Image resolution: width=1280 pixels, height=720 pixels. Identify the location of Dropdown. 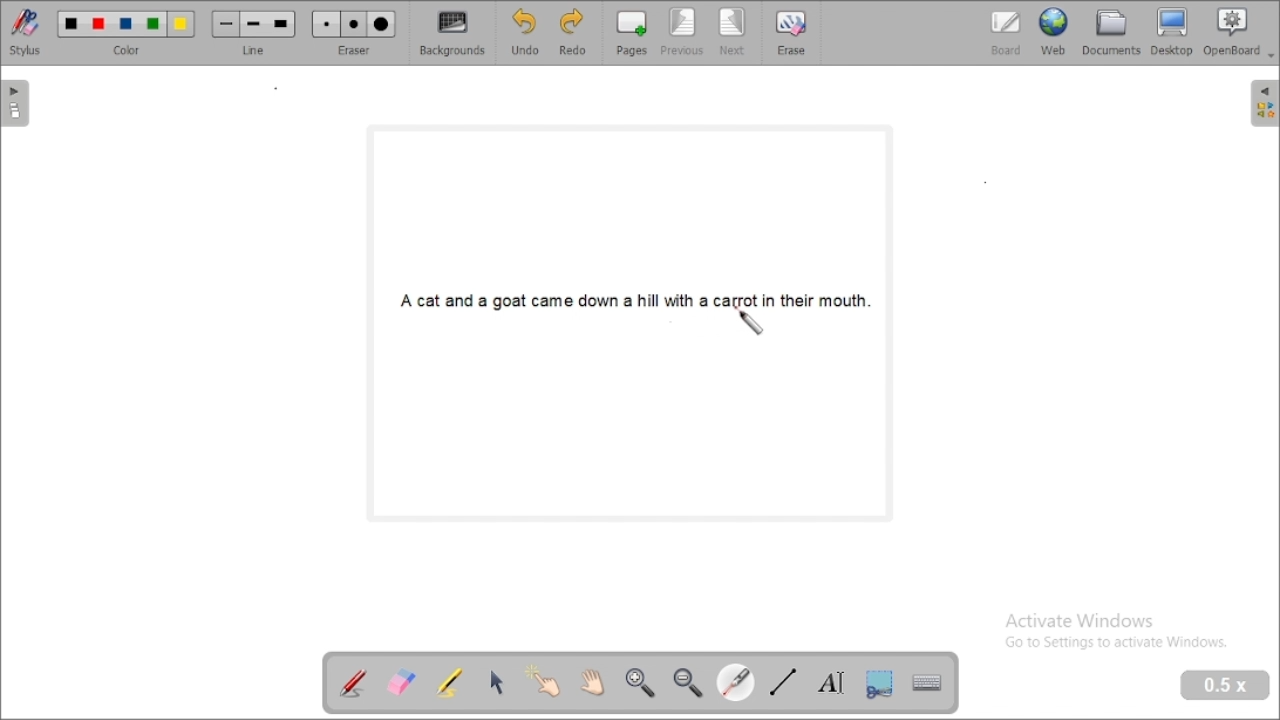
(1272, 56).